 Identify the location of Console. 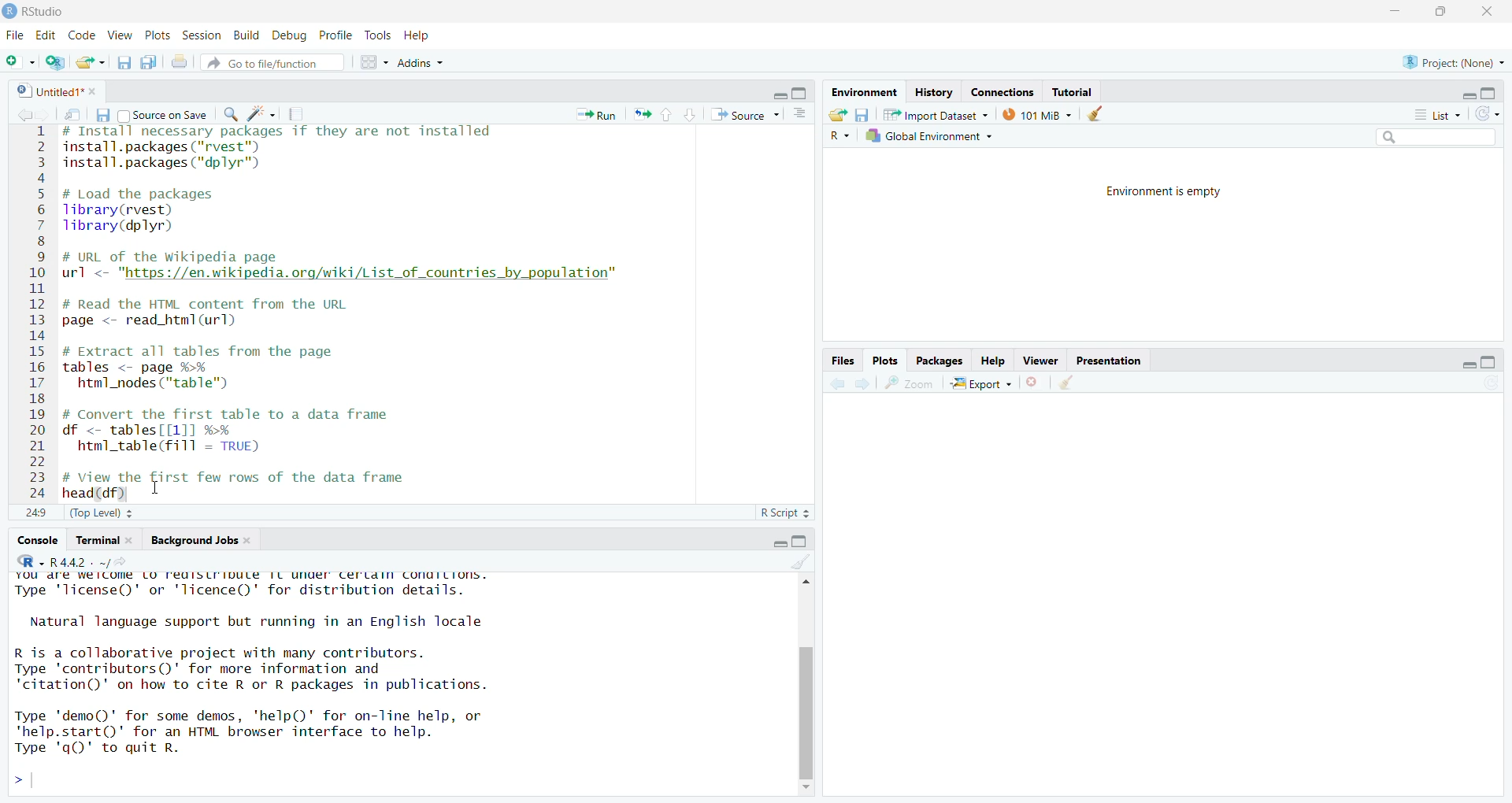
(37, 541).